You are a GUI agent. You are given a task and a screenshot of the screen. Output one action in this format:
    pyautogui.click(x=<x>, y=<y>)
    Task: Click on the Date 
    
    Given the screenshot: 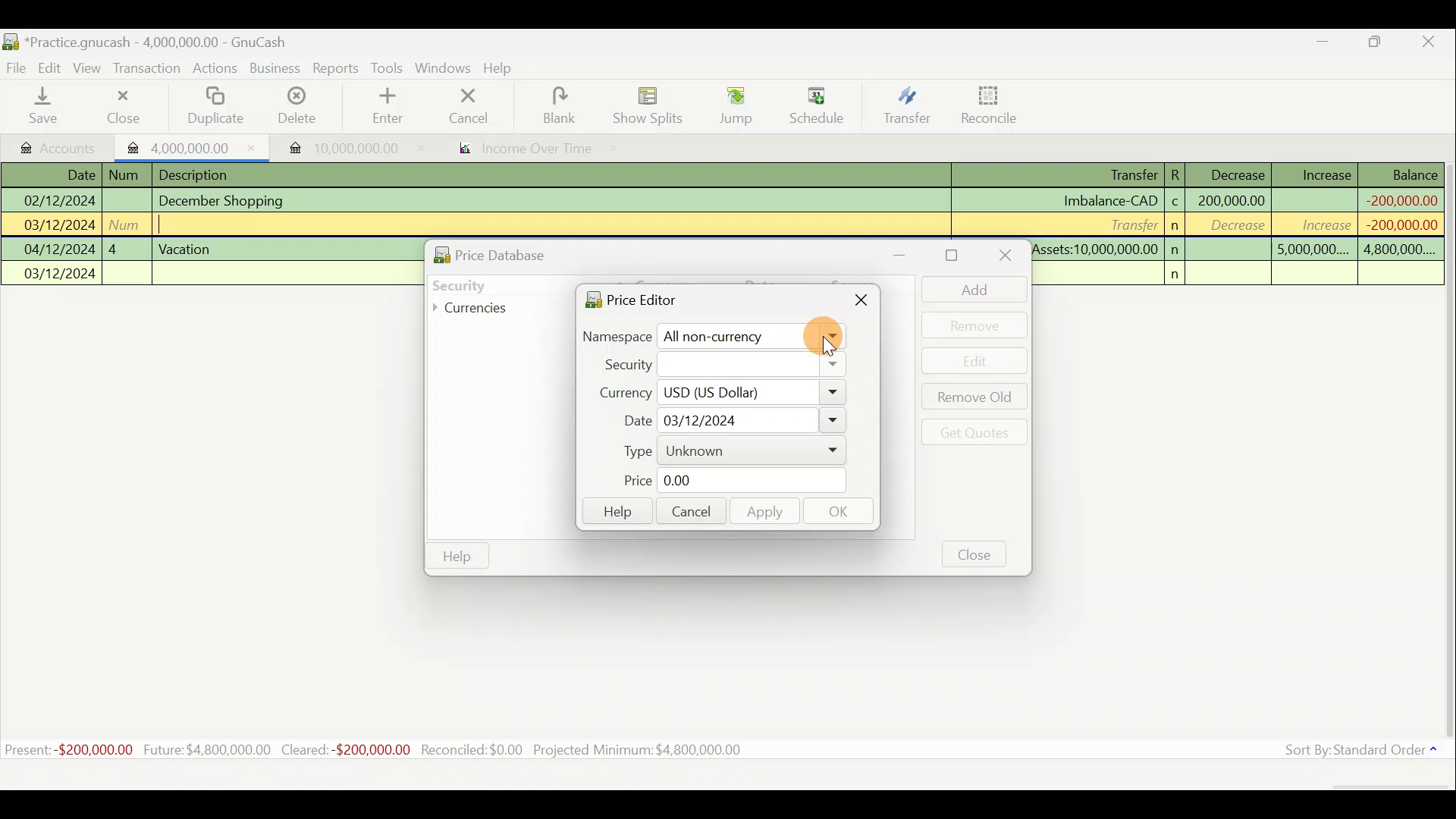 What is the action you would take?
    pyautogui.click(x=71, y=174)
    